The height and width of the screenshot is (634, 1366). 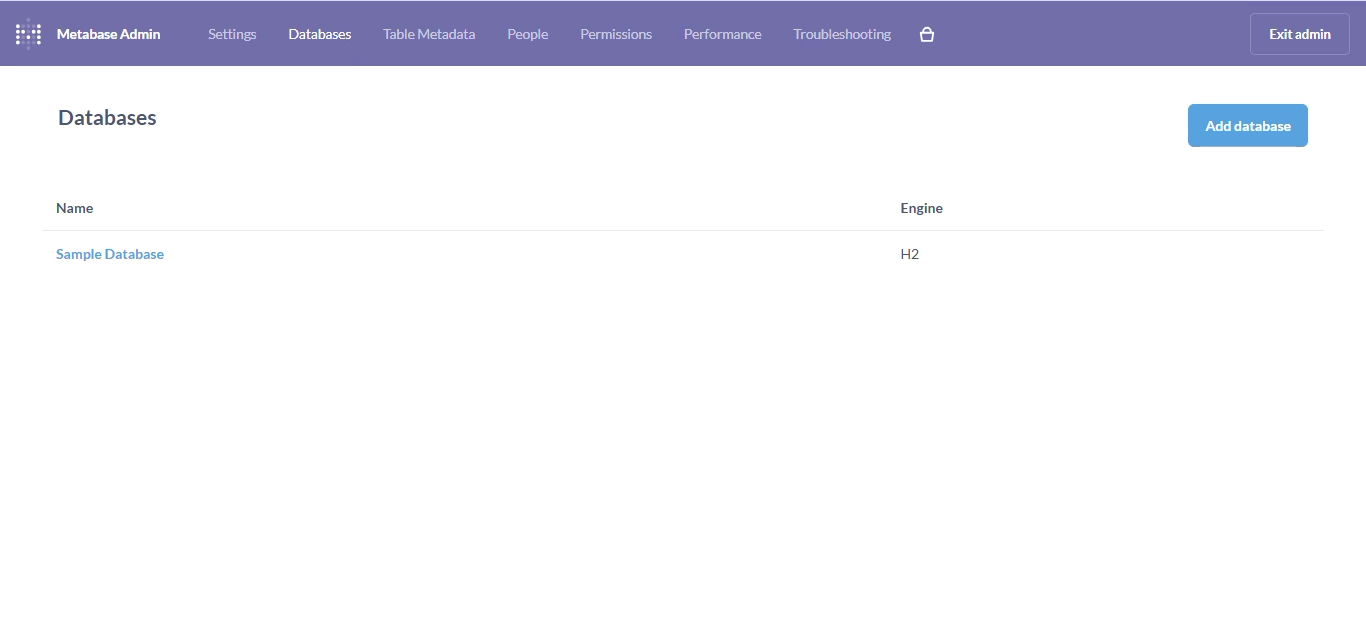 What do you see at coordinates (109, 33) in the screenshot?
I see `metabase admin` at bounding box center [109, 33].